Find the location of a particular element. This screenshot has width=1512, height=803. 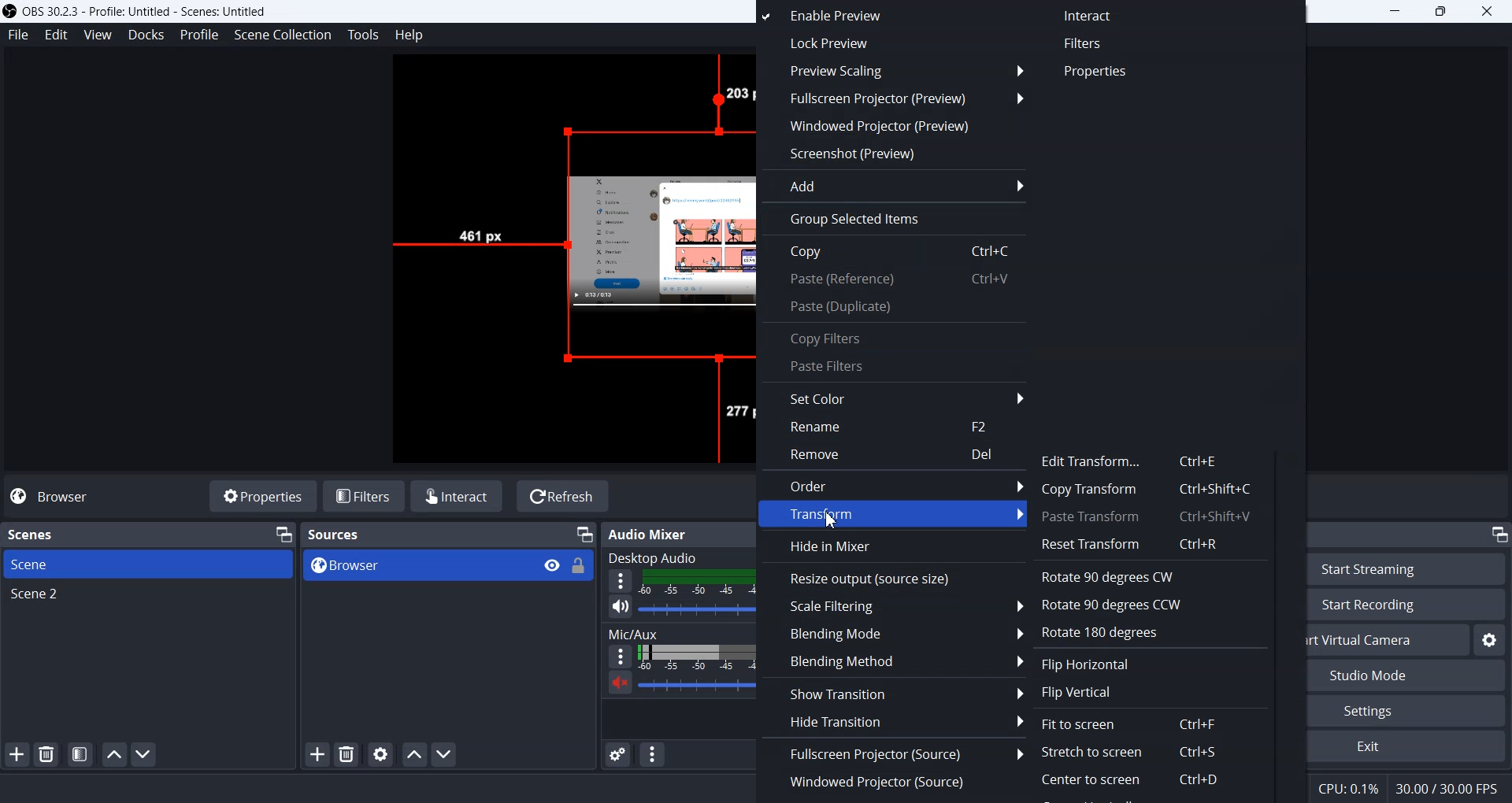

Mic/aux is located at coordinates (680, 631).